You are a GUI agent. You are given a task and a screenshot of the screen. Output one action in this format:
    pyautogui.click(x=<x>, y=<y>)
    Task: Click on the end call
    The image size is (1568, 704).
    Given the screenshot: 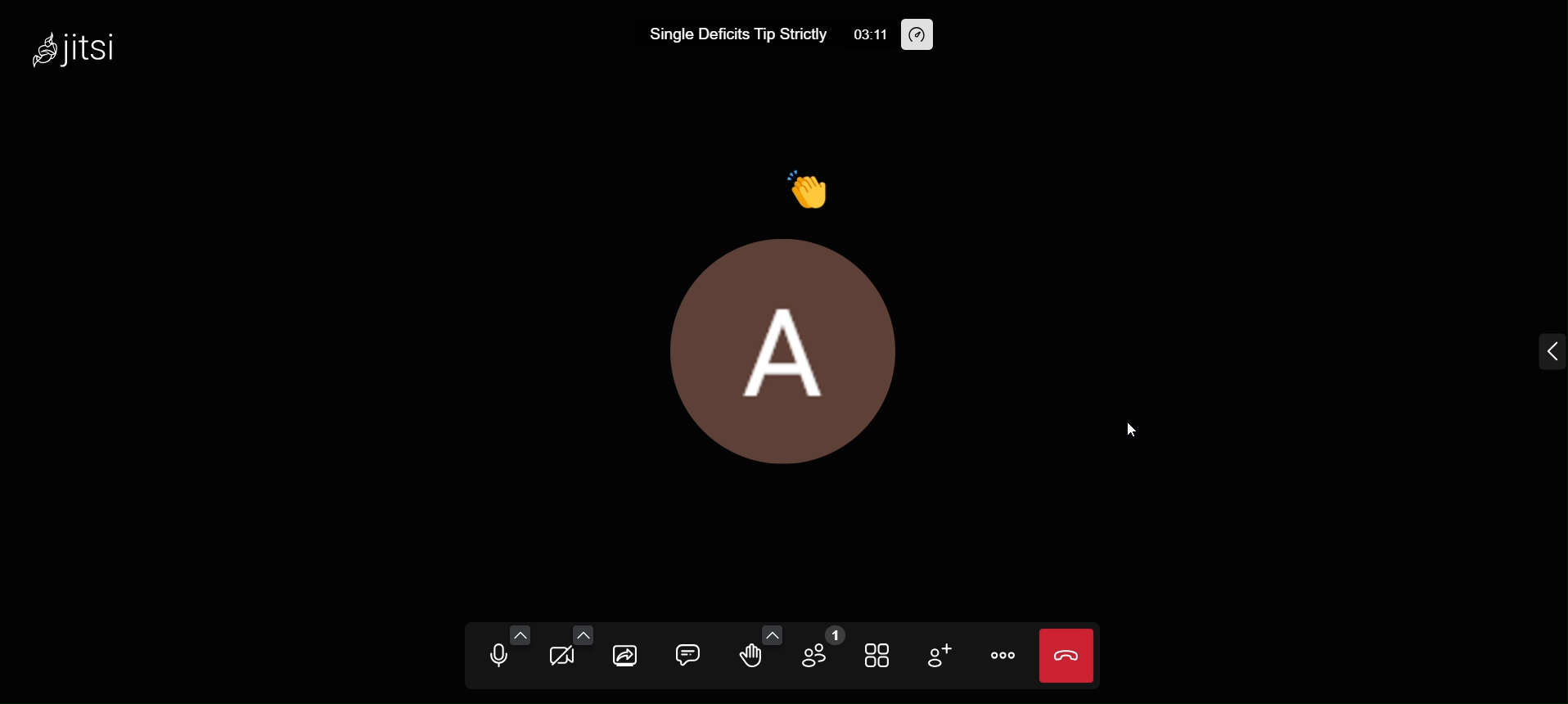 What is the action you would take?
    pyautogui.click(x=1070, y=654)
    